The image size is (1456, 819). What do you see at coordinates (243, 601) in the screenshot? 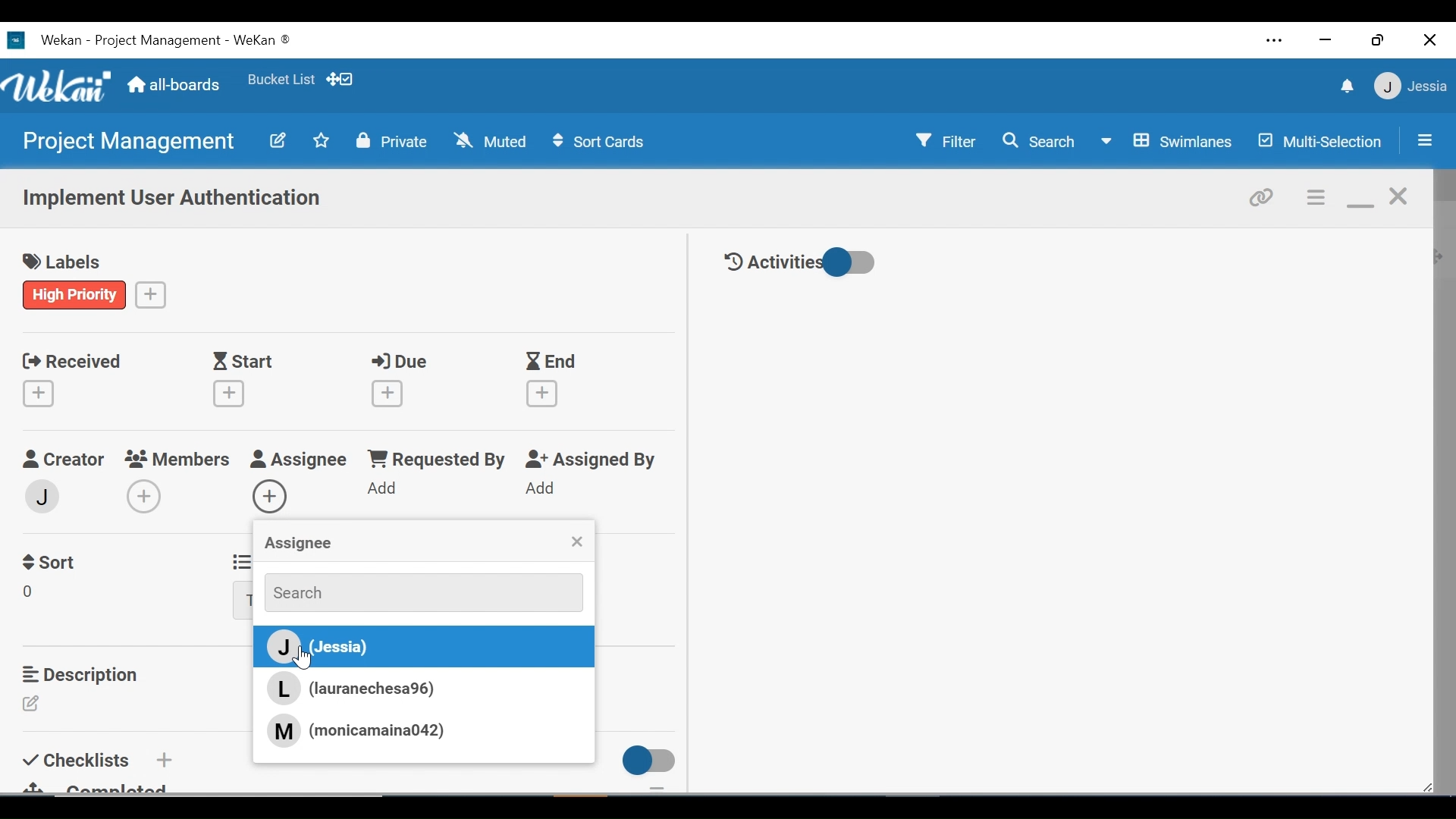
I see `List Dropdown menu` at bounding box center [243, 601].